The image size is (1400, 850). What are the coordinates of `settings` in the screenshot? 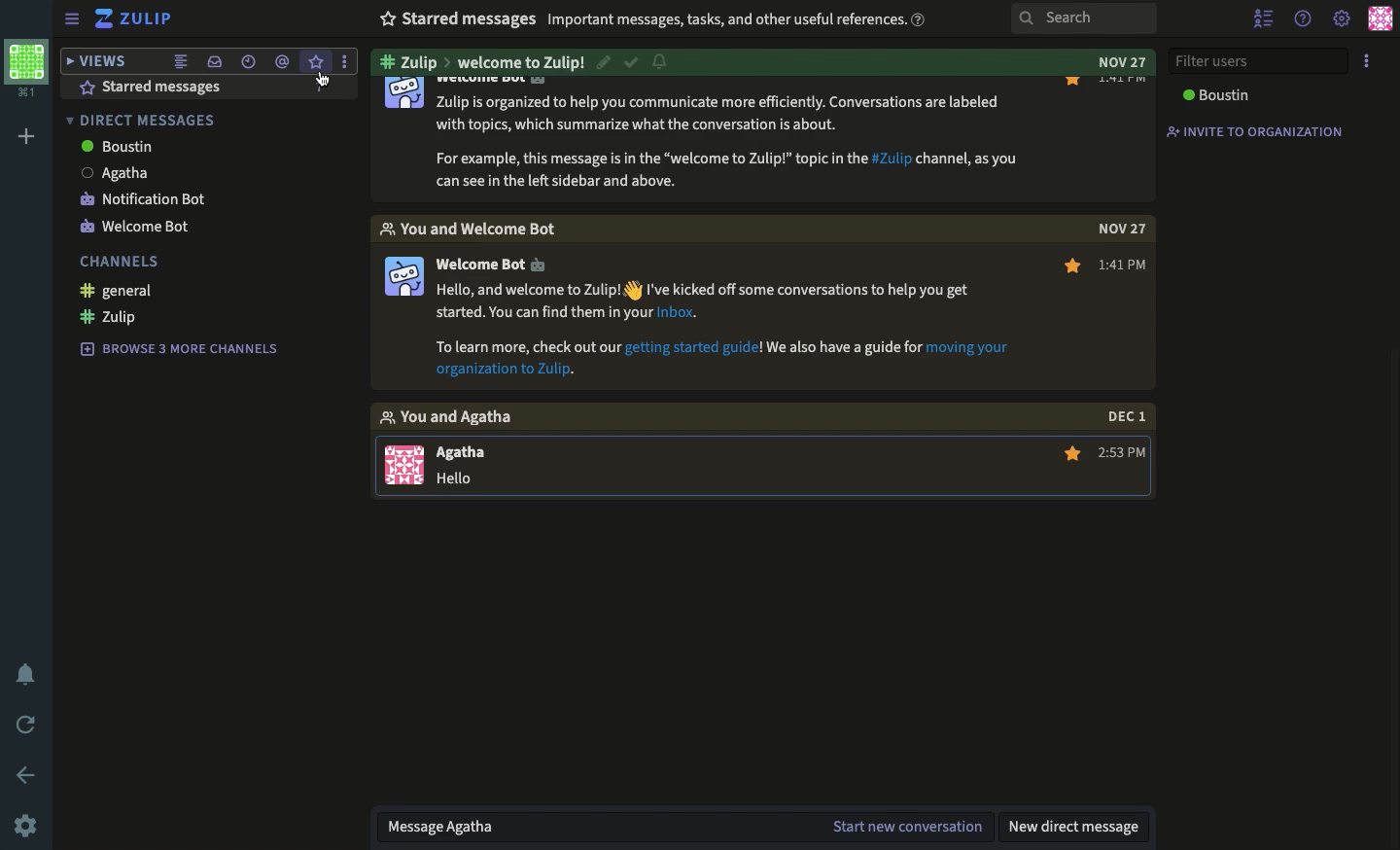 It's located at (30, 824).